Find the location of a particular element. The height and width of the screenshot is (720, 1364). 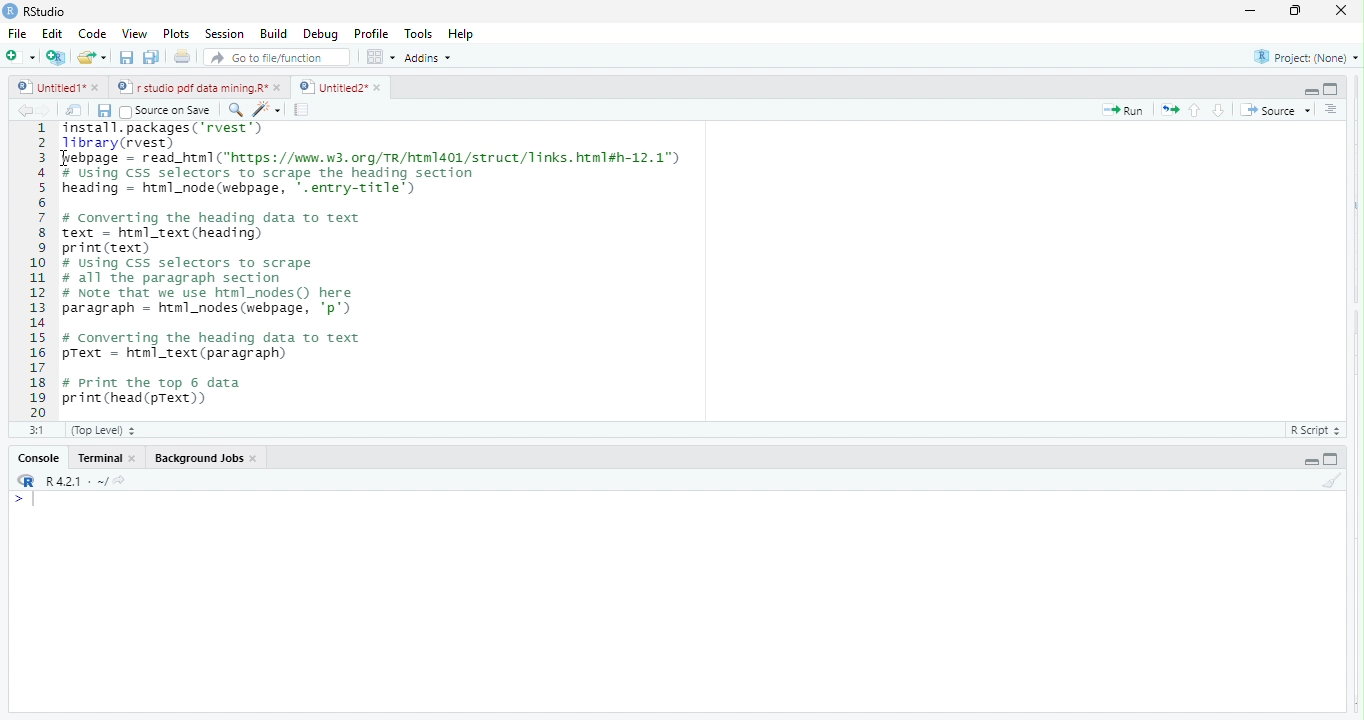

close is located at coordinates (255, 458).